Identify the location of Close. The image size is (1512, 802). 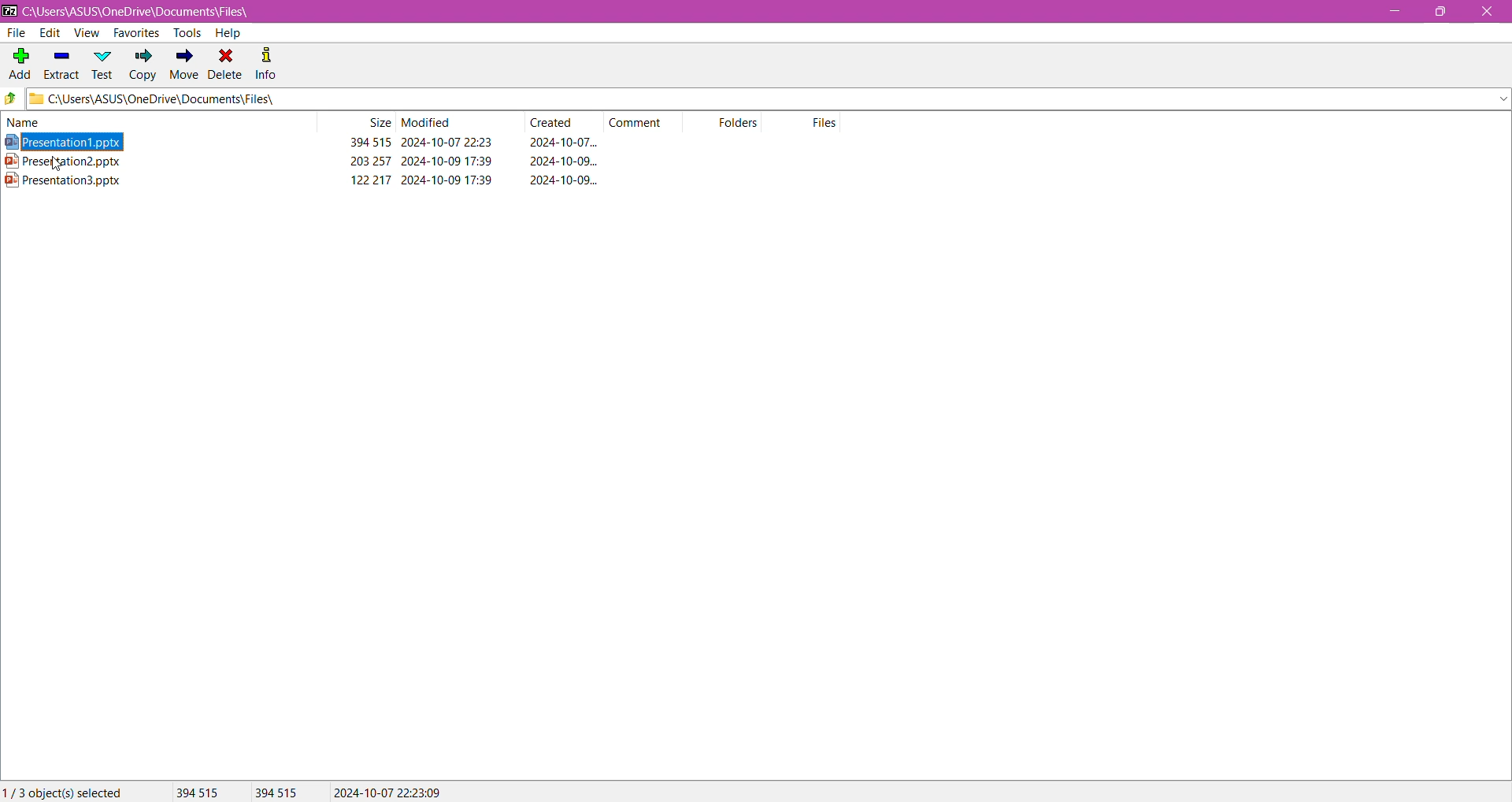
(1487, 13).